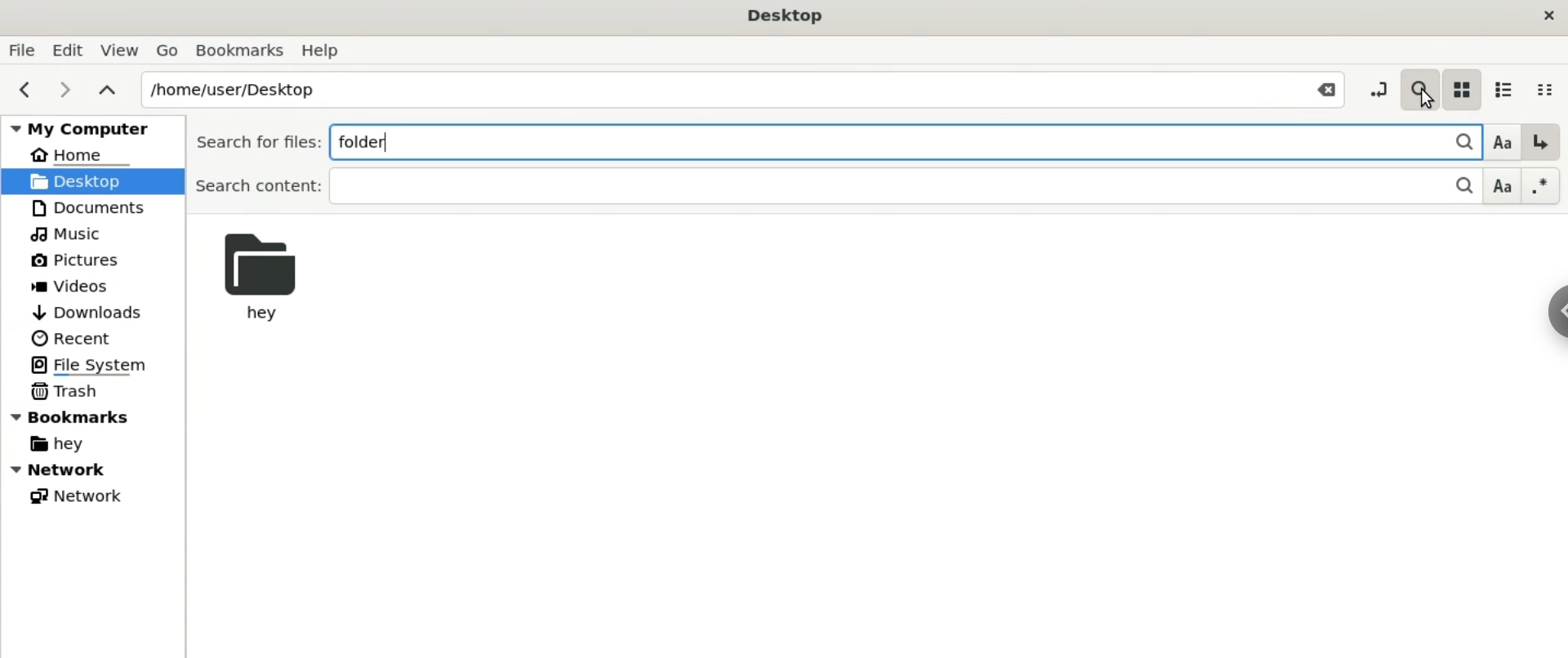 The height and width of the screenshot is (658, 1568). I want to click on toggle location entry, so click(1377, 85).